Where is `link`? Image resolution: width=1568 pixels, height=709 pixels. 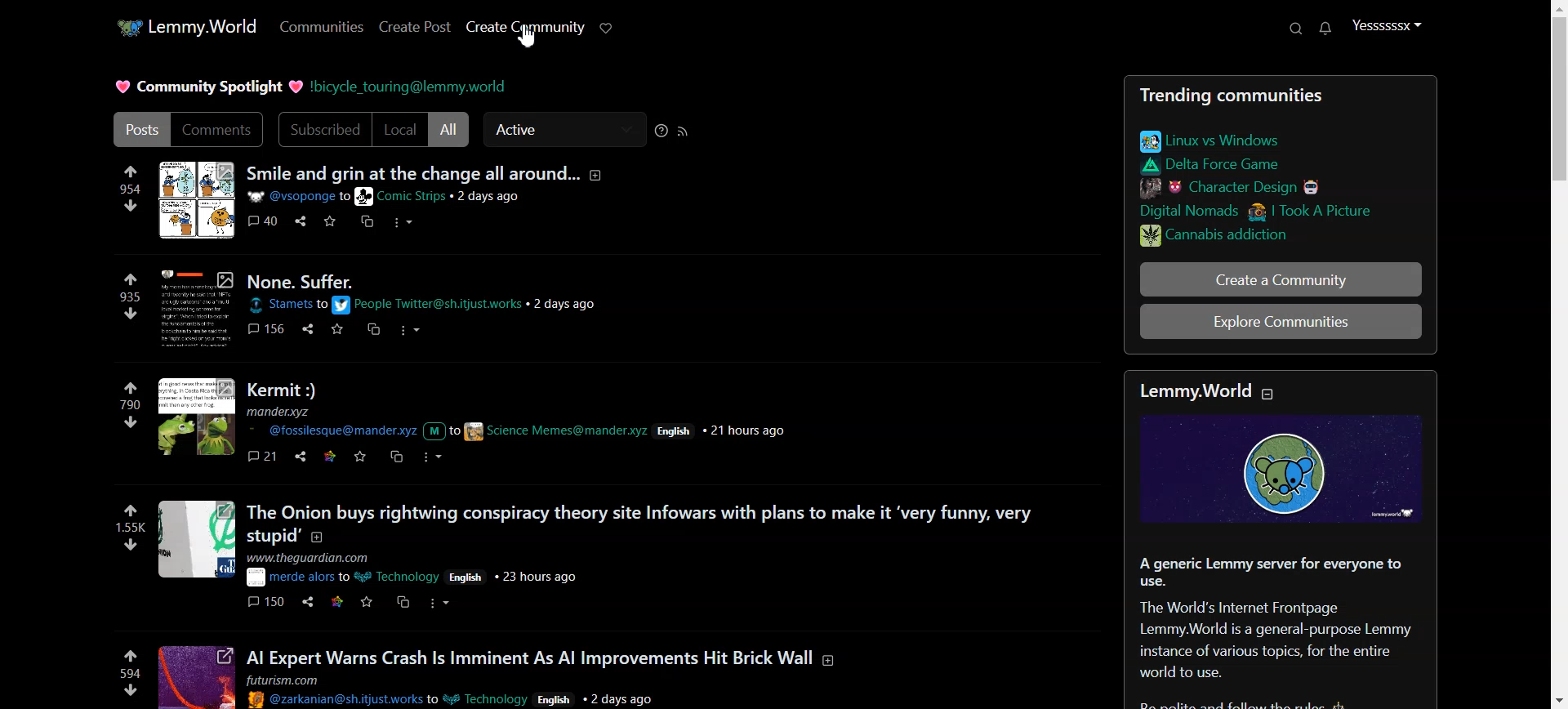 link is located at coordinates (1262, 210).